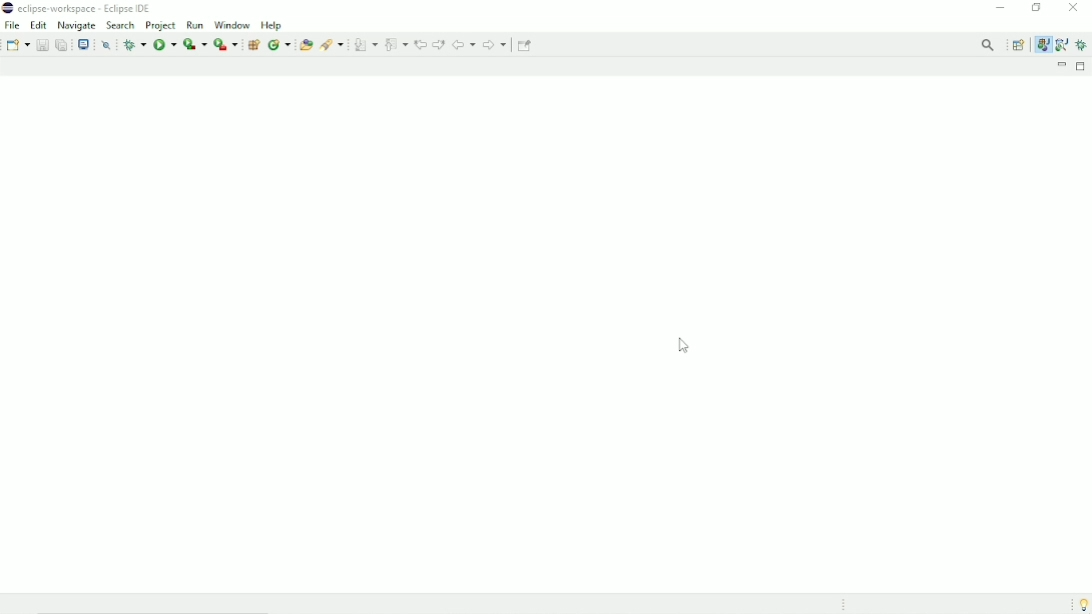 The width and height of the screenshot is (1092, 614). What do you see at coordinates (332, 43) in the screenshot?
I see `Search` at bounding box center [332, 43].